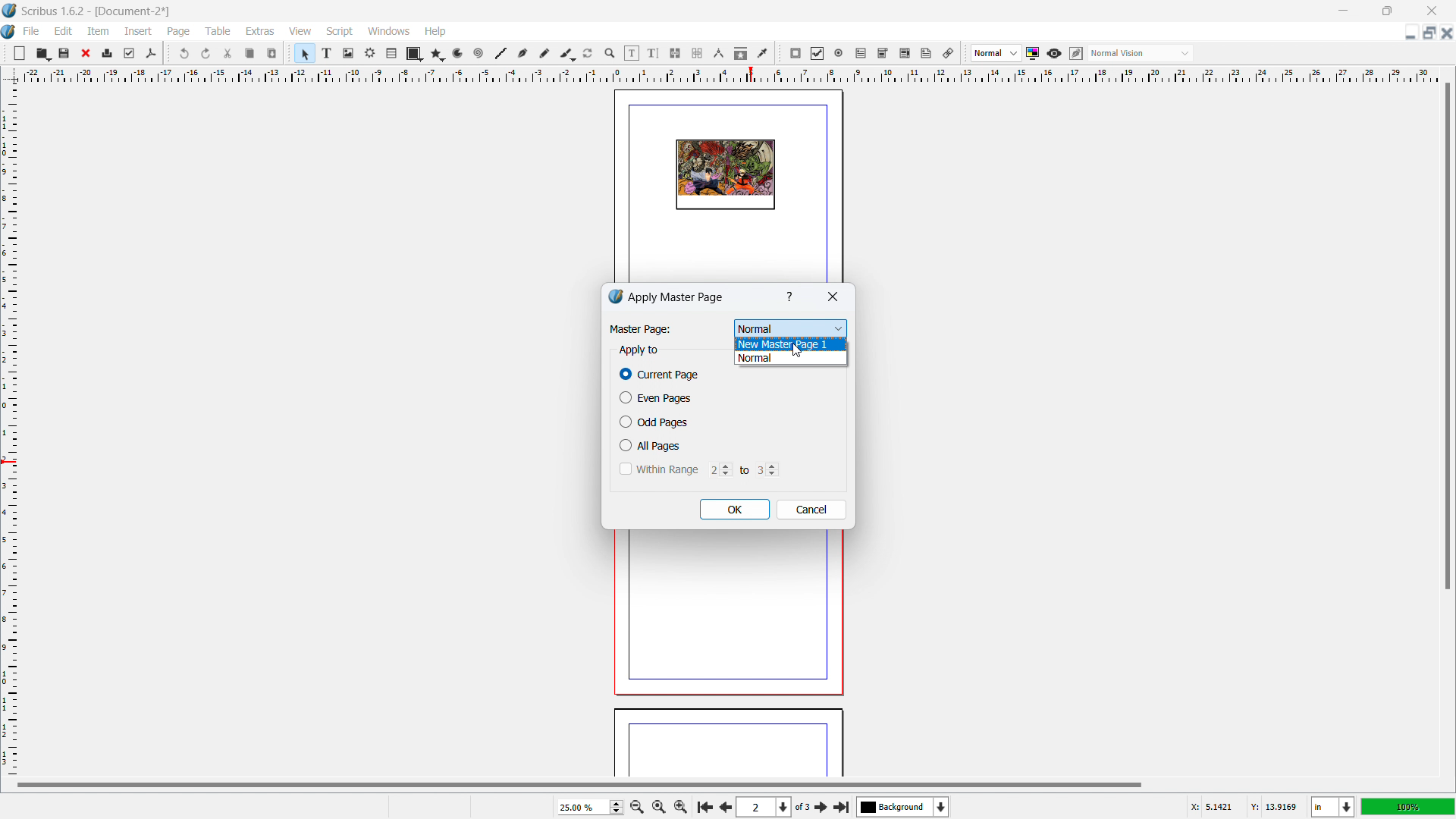 This screenshot has height=819, width=1456. Describe the element at coordinates (764, 808) in the screenshot. I see `select the current page` at that location.